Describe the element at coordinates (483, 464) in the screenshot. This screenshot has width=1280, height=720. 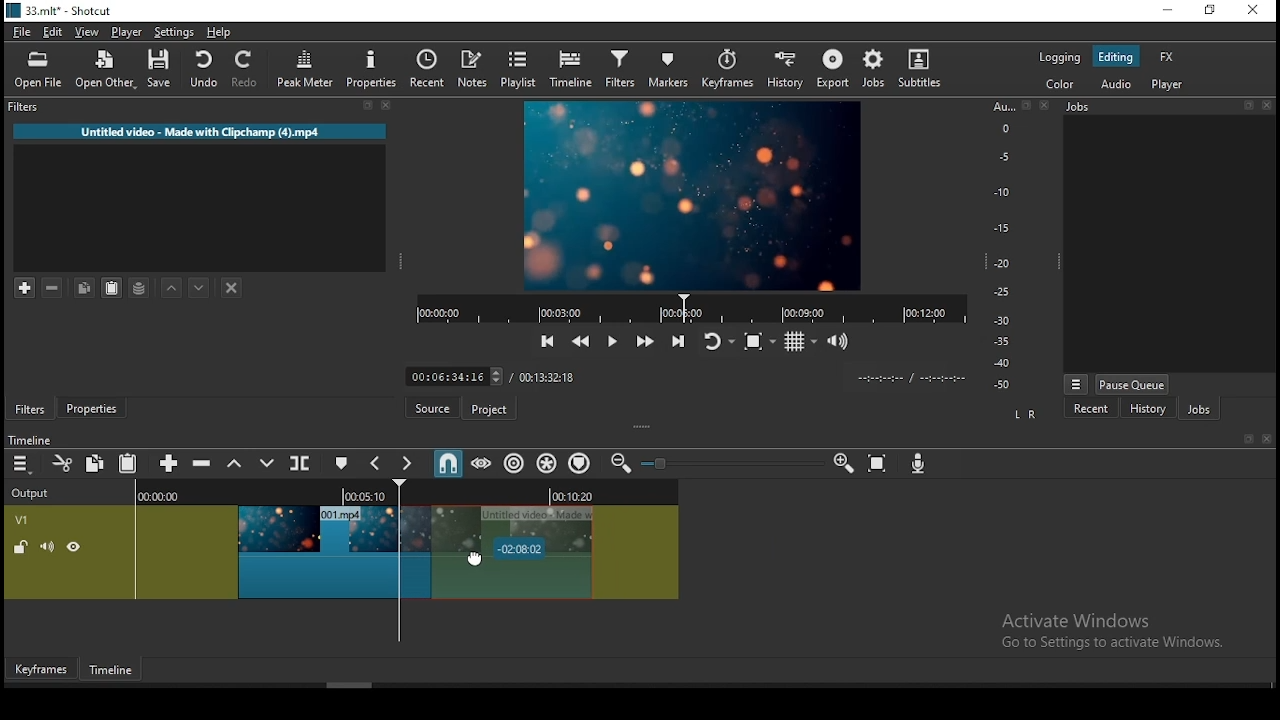
I see `scrub while dragging` at that location.